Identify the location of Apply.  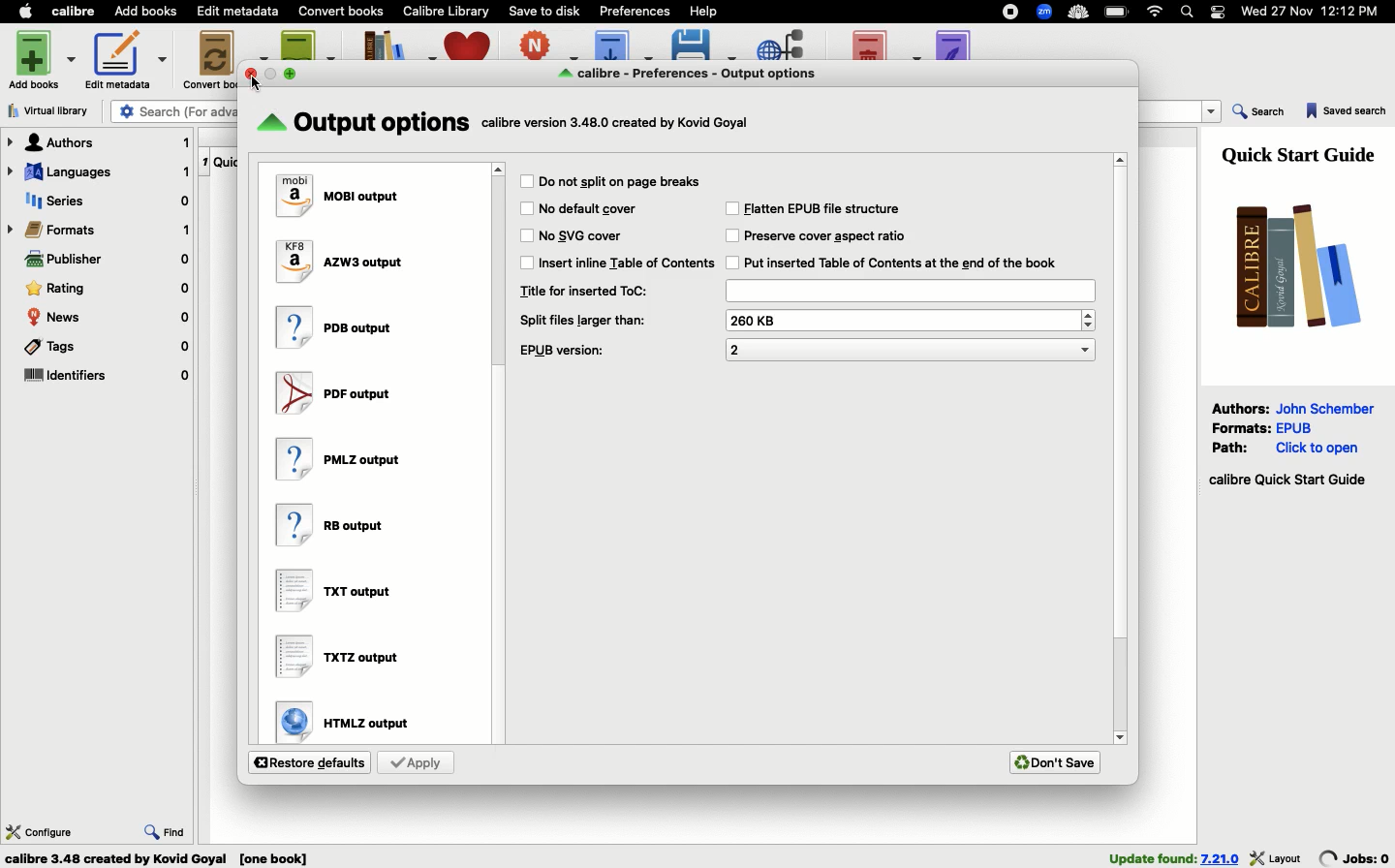
(416, 761).